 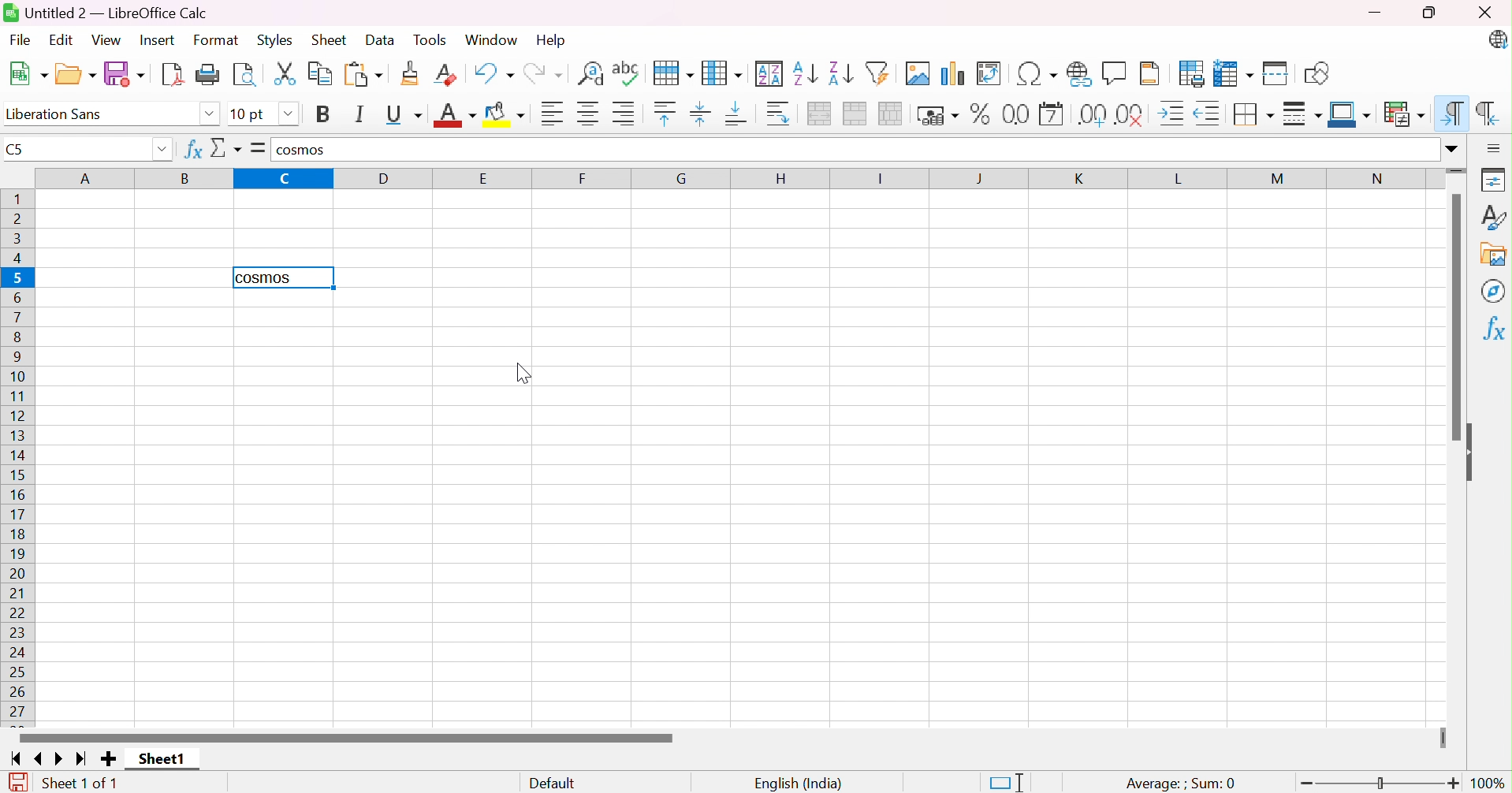 What do you see at coordinates (225, 148) in the screenshot?
I see `Select Function` at bounding box center [225, 148].